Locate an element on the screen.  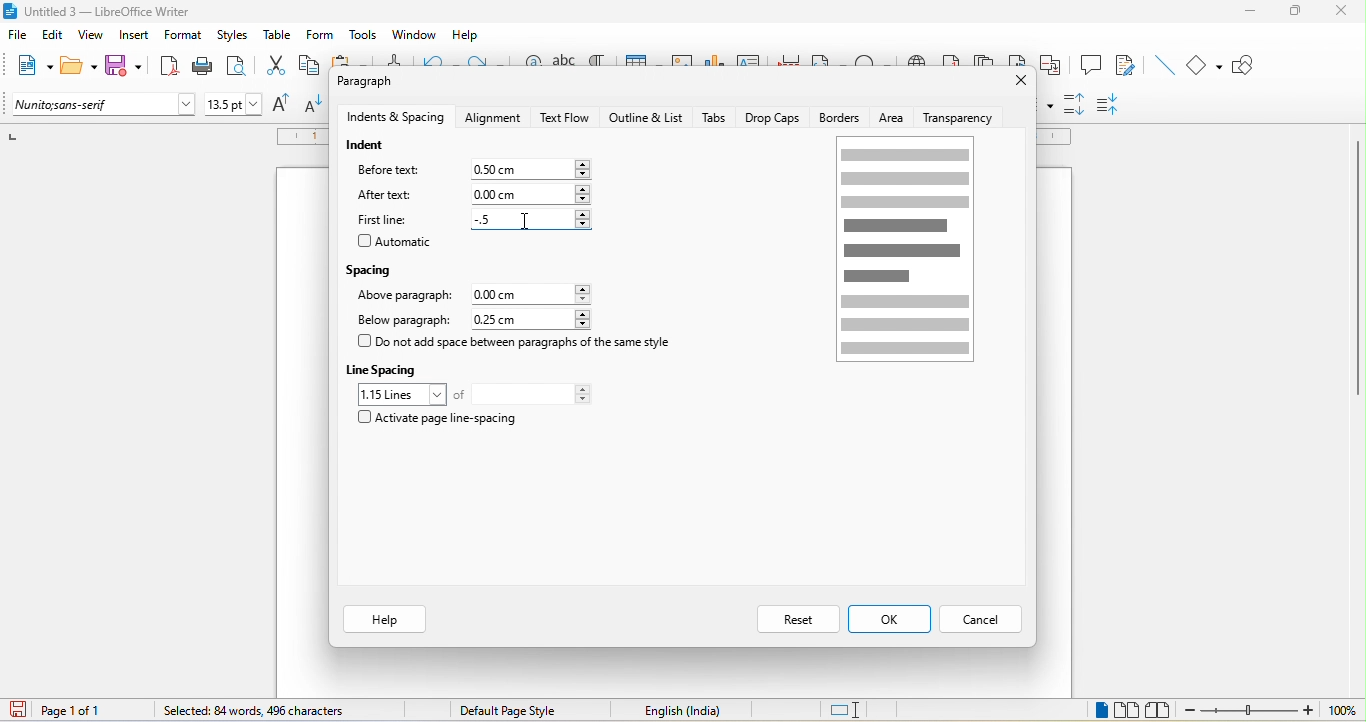
text language is located at coordinates (710, 710).